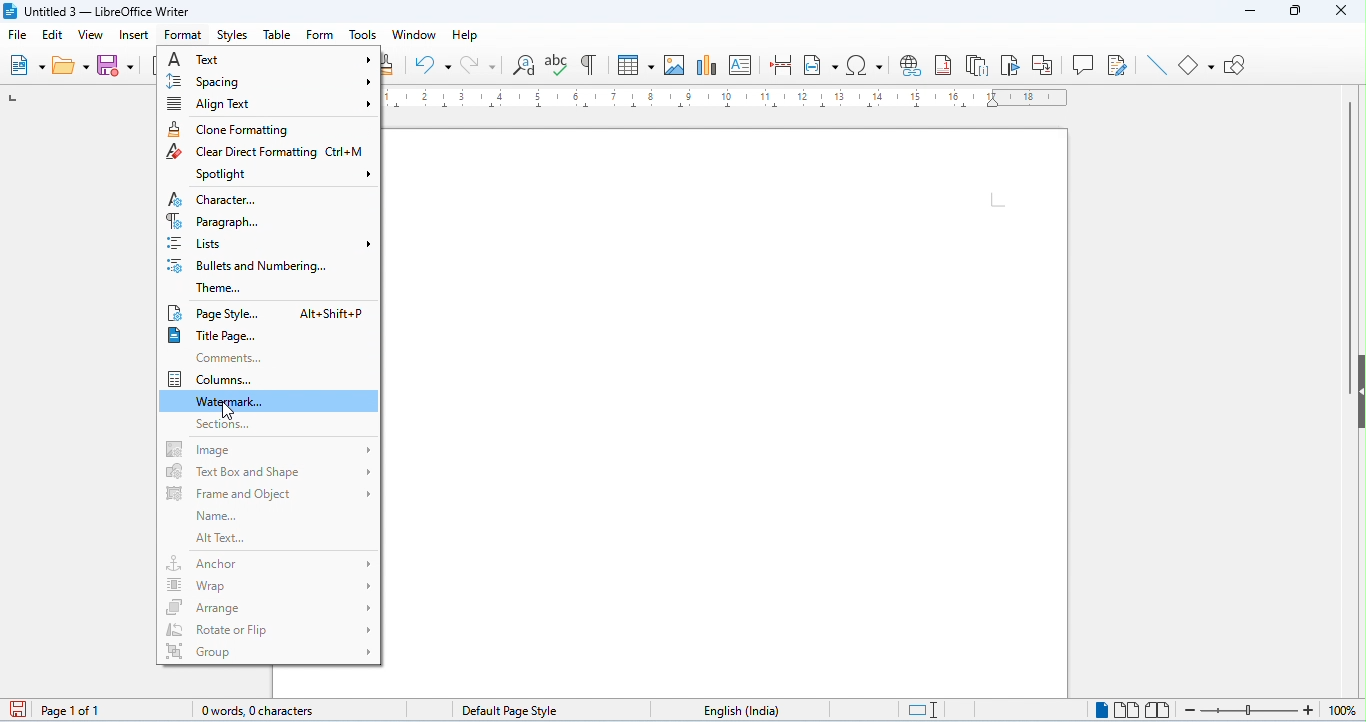 This screenshot has width=1366, height=722. What do you see at coordinates (433, 64) in the screenshot?
I see `undo` at bounding box center [433, 64].